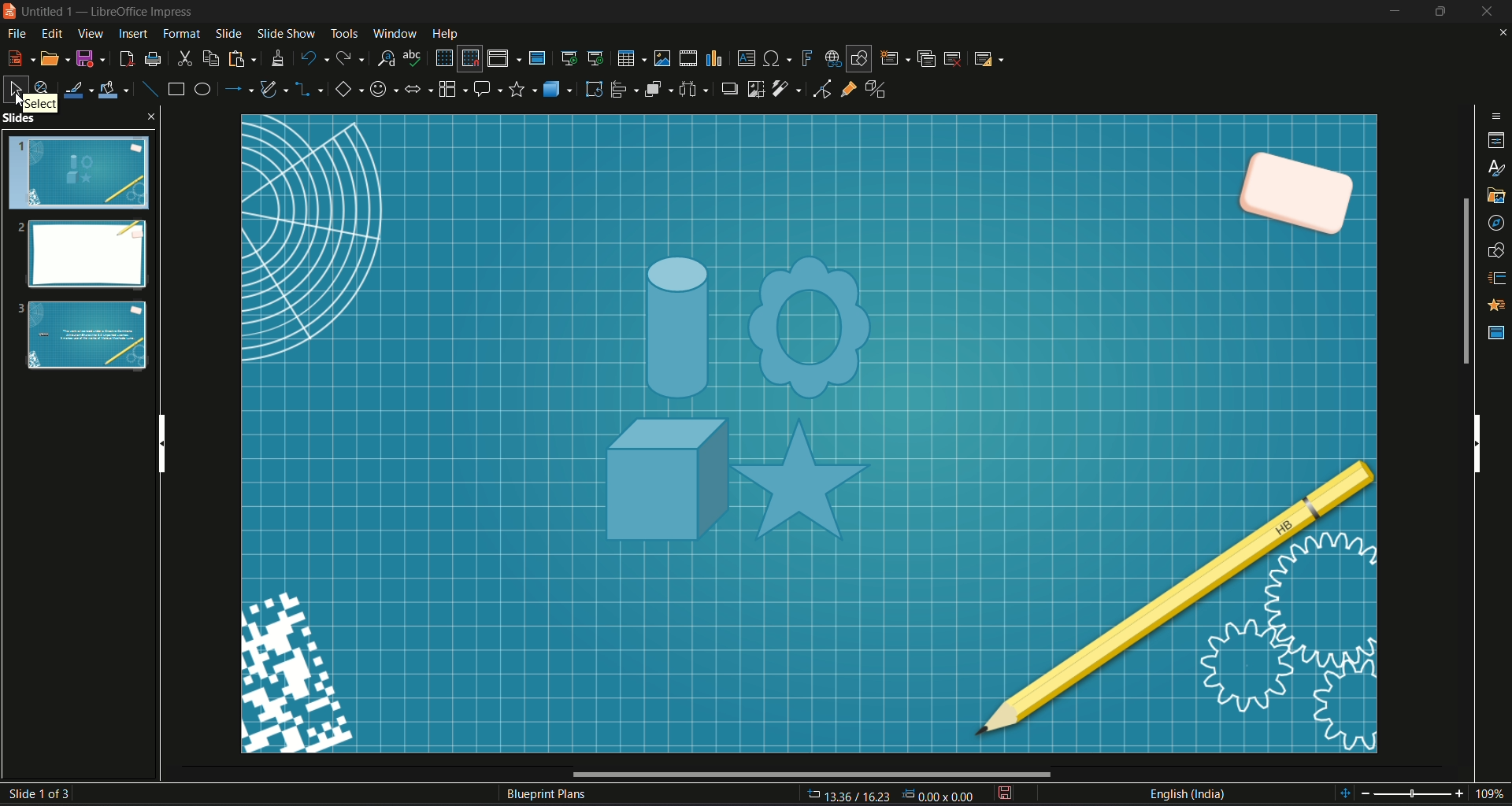 This screenshot has width=1512, height=806. I want to click on Minimize/Maximize, so click(1439, 11).